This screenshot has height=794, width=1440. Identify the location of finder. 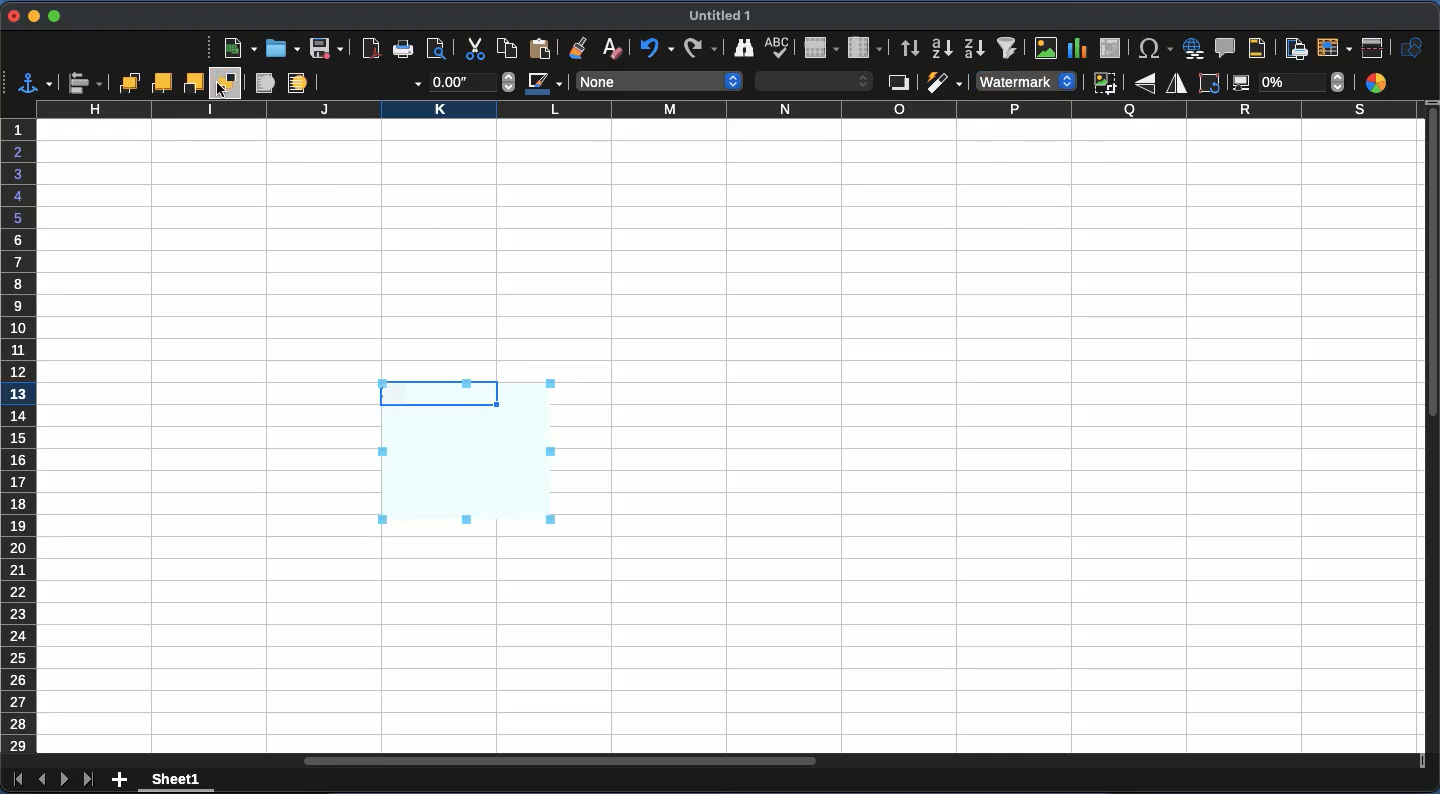
(742, 47).